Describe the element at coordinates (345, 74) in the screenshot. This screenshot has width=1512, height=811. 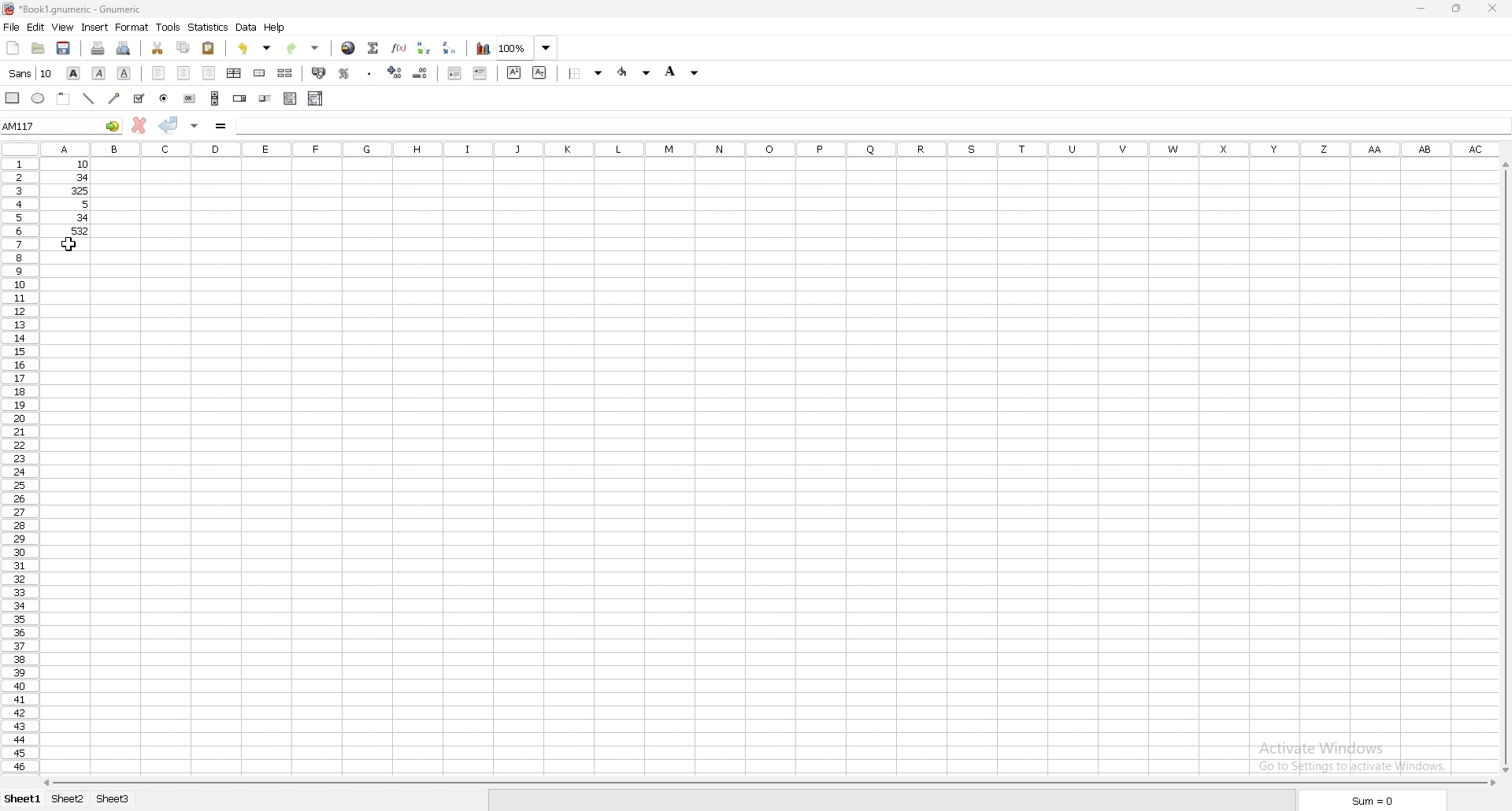
I see `percentage` at that location.